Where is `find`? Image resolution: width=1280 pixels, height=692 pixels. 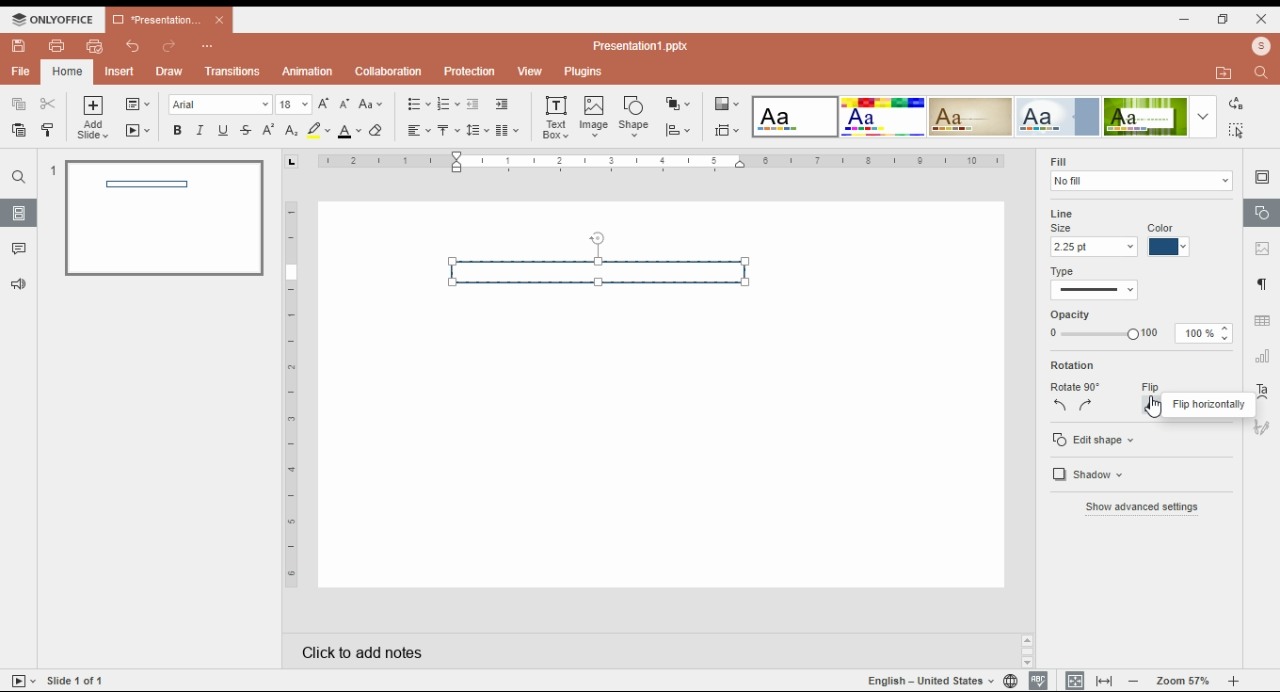
find is located at coordinates (1260, 74).